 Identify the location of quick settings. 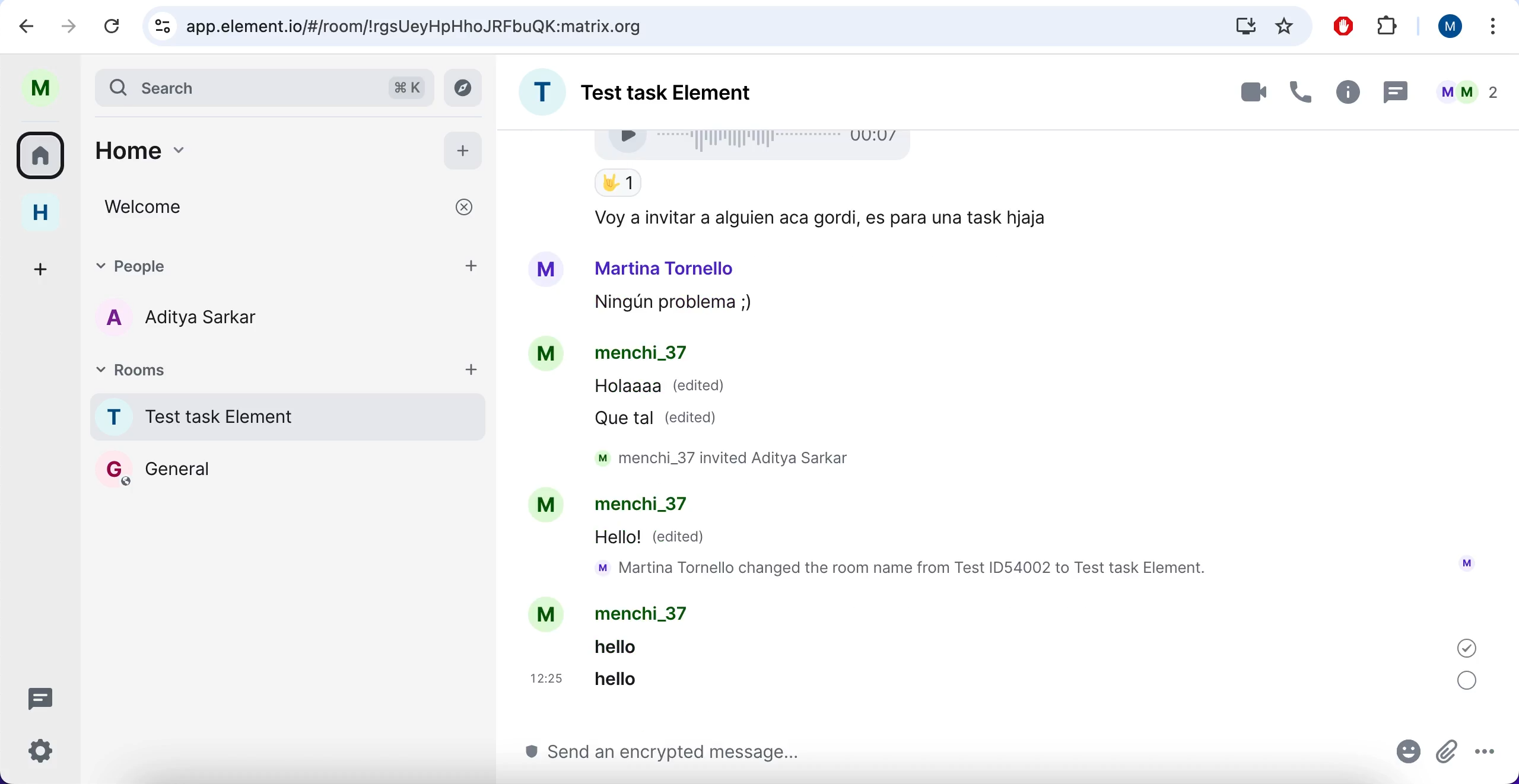
(49, 755).